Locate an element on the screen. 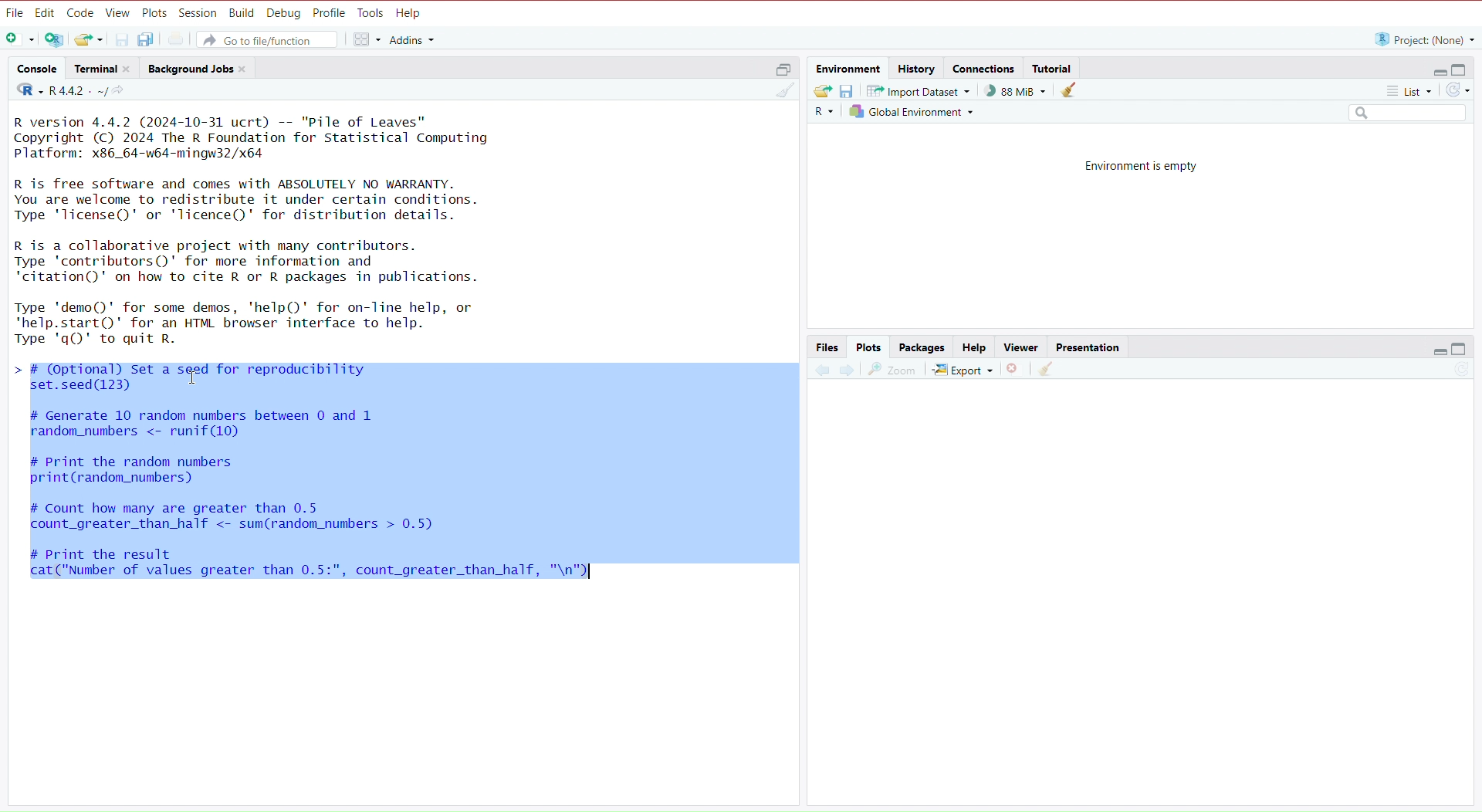 The width and height of the screenshot is (1482, 812). Code is located at coordinates (82, 12).